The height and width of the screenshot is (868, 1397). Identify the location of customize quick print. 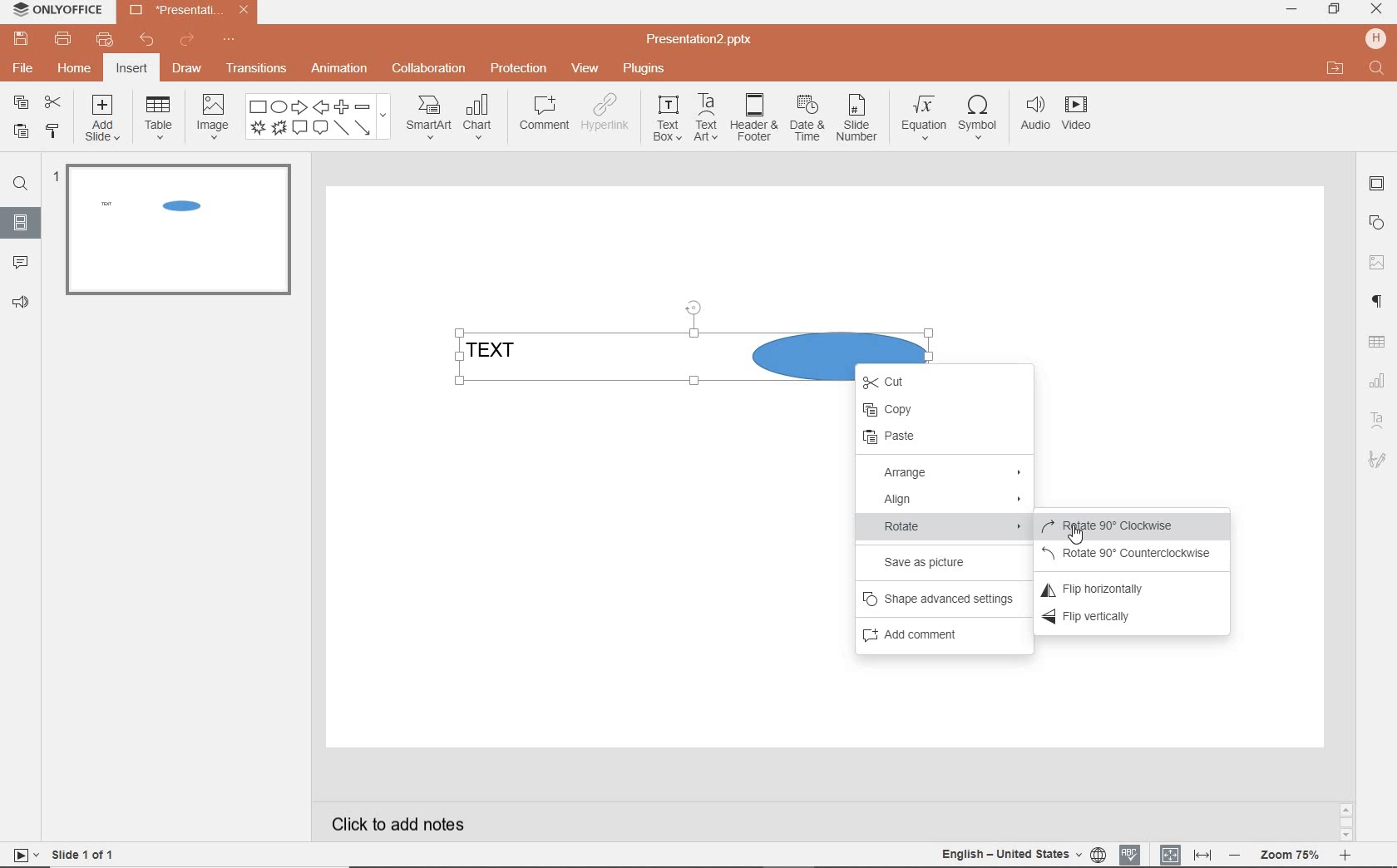
(102, 40).